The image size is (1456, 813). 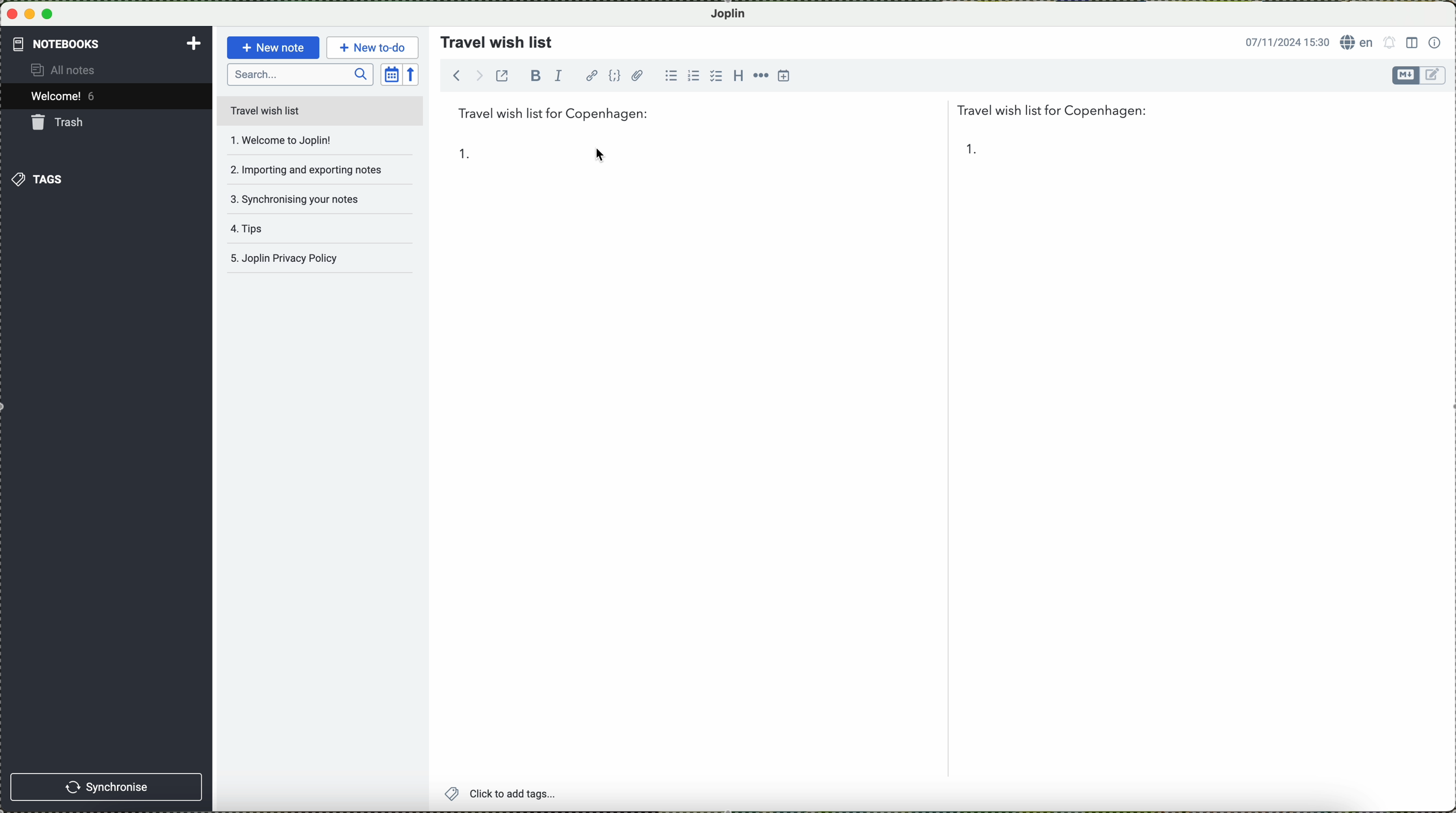 What do you see at coordinates (414, 73) in the screenshot?
I see `reverse sort order` at bounding box center [414, 73].